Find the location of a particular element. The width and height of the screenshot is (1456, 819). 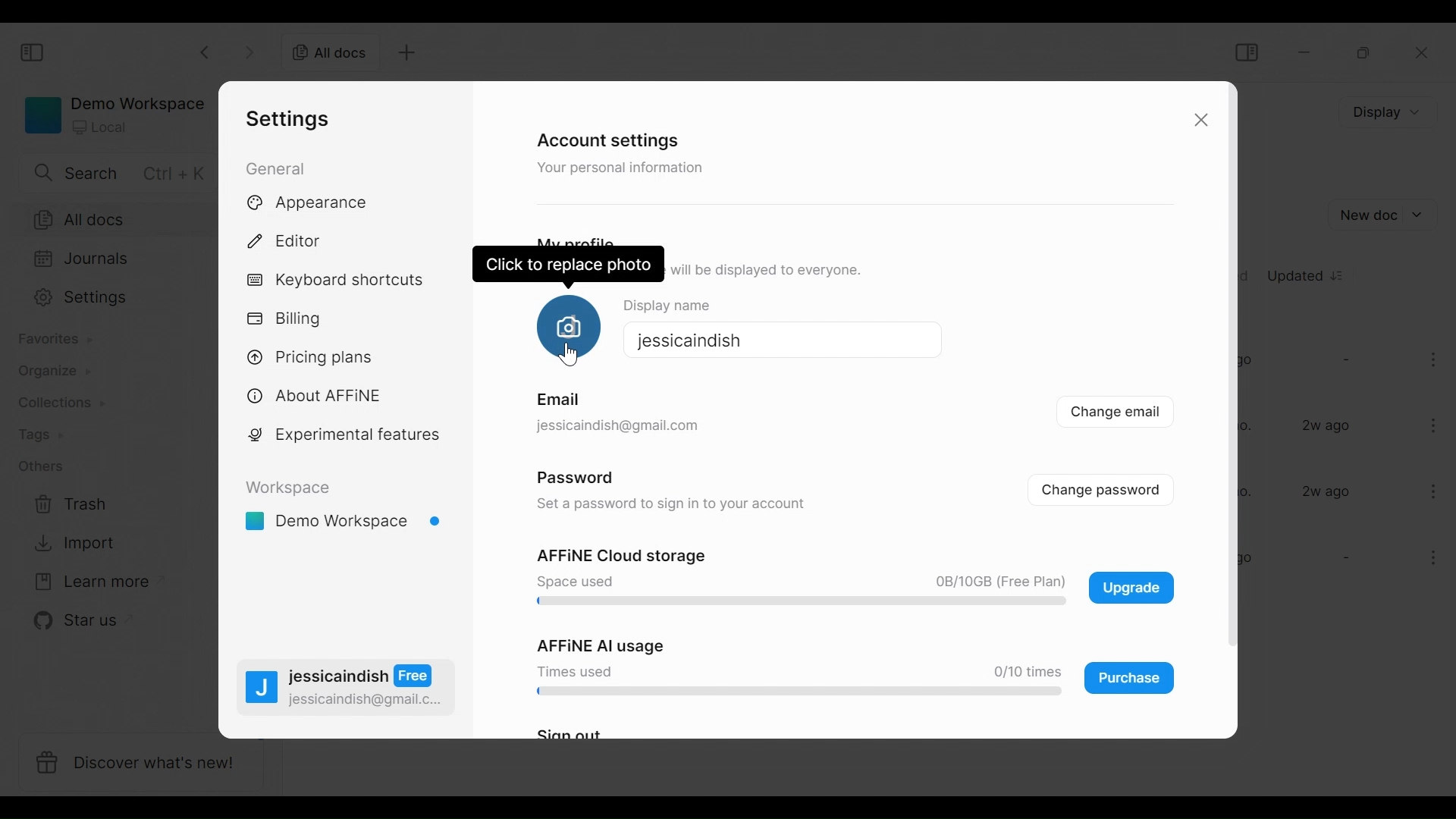

Add is located at coordinates (409, 55).